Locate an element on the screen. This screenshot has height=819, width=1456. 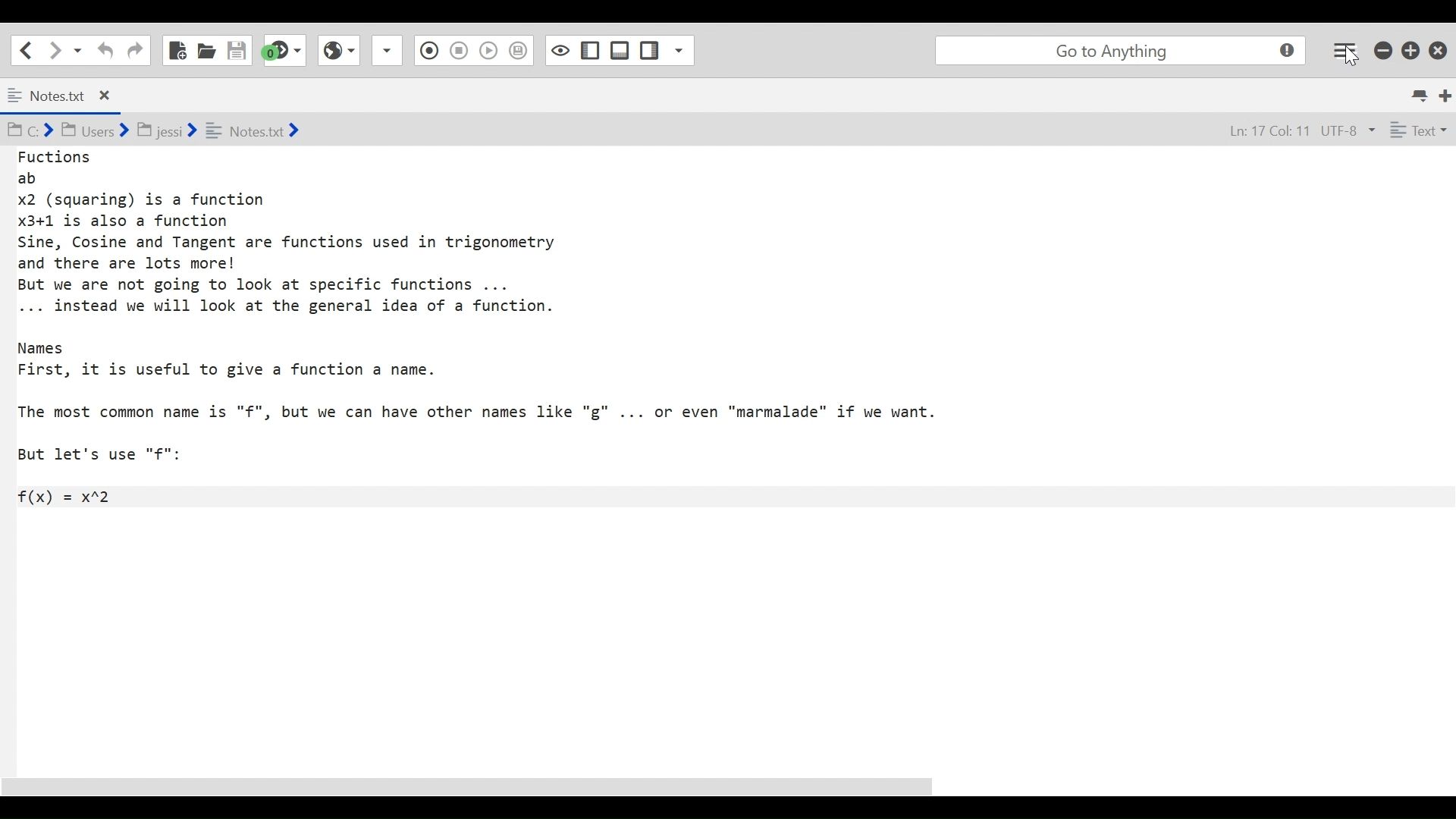
scroll bar is located at coordinates (486, 786).